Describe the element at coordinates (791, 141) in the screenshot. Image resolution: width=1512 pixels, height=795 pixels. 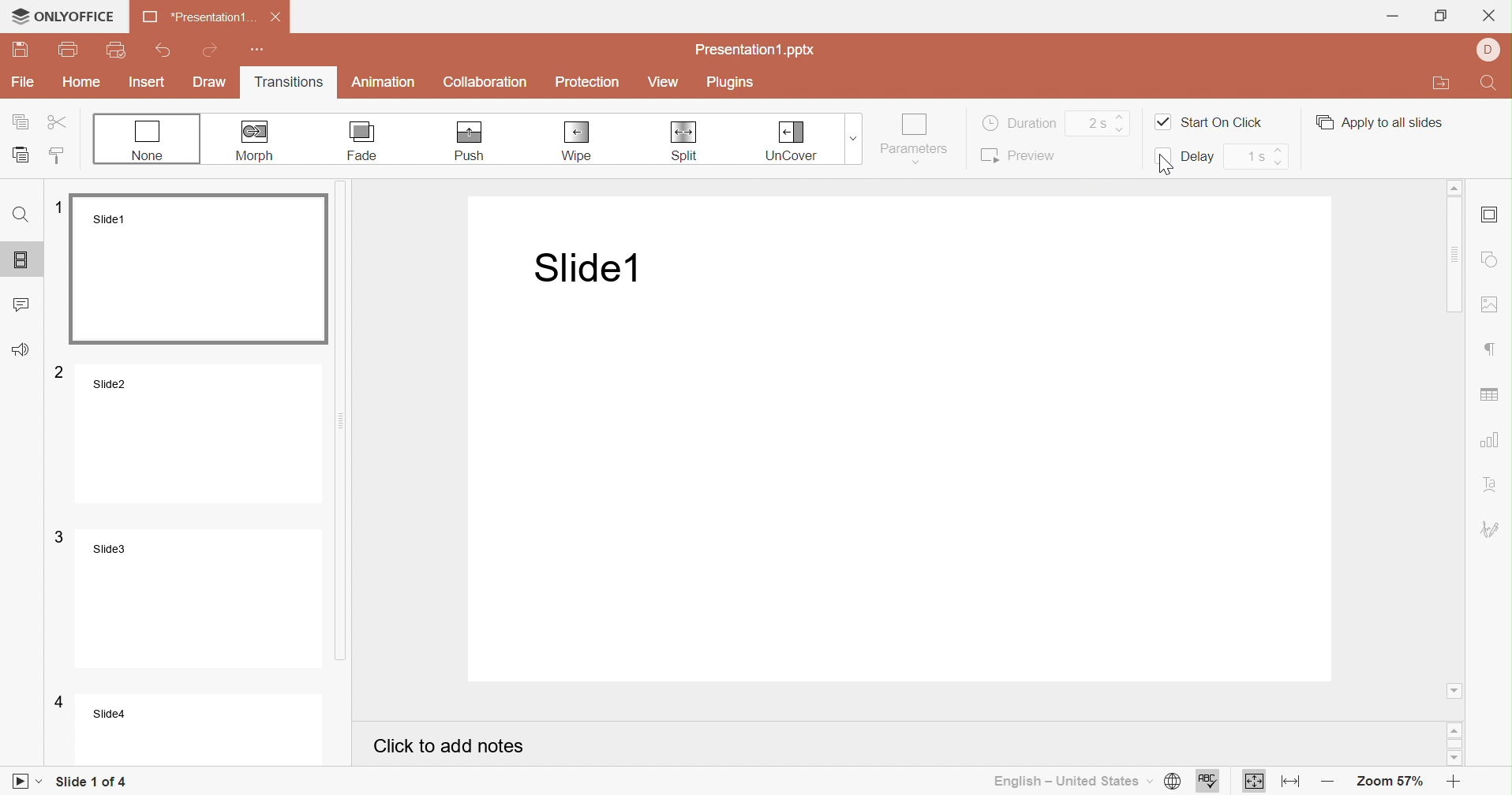
I see `Un-Cover` at that location.